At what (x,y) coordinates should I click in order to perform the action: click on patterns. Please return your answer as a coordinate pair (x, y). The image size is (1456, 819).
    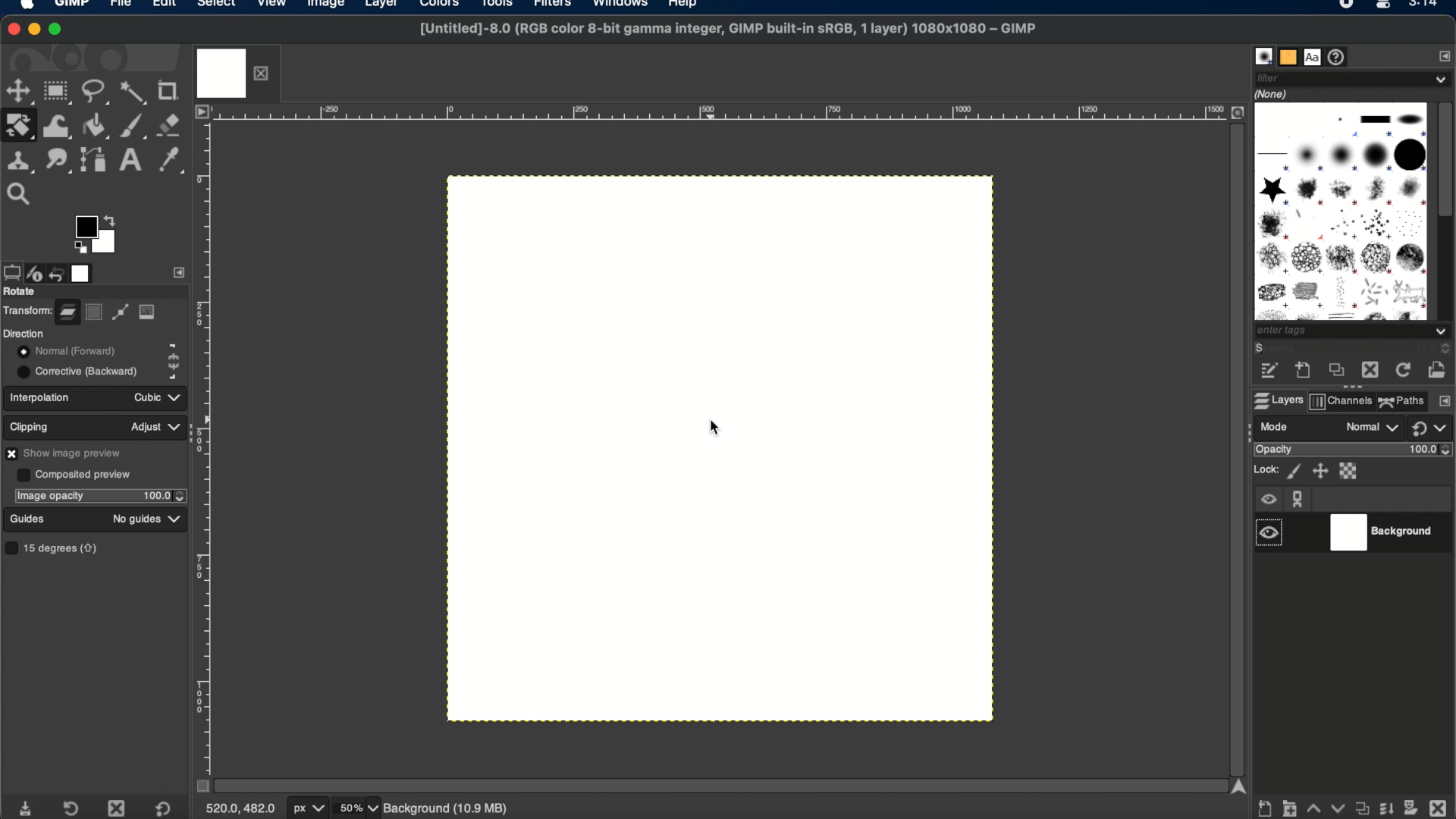
    Looking at the image, I should click on (1288, 56).